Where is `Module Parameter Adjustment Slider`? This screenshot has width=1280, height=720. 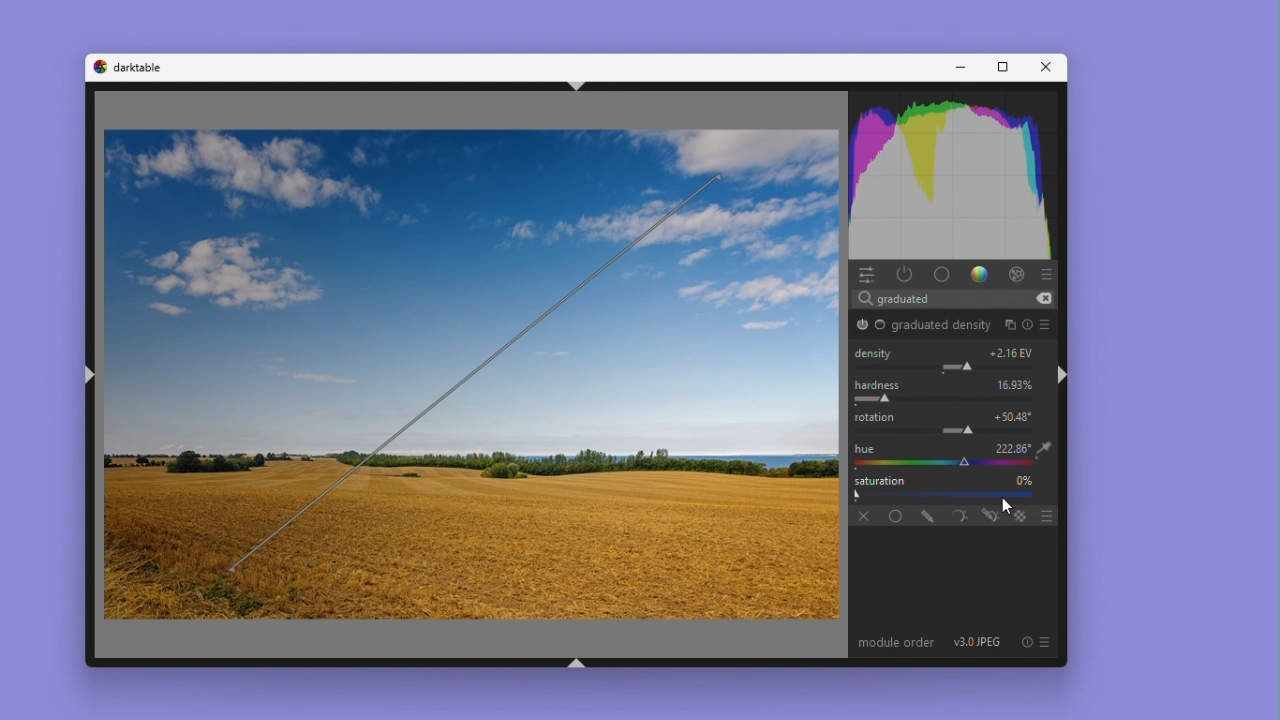 Module Parameter Adjustment Slider is located at coordinates (949, 367).